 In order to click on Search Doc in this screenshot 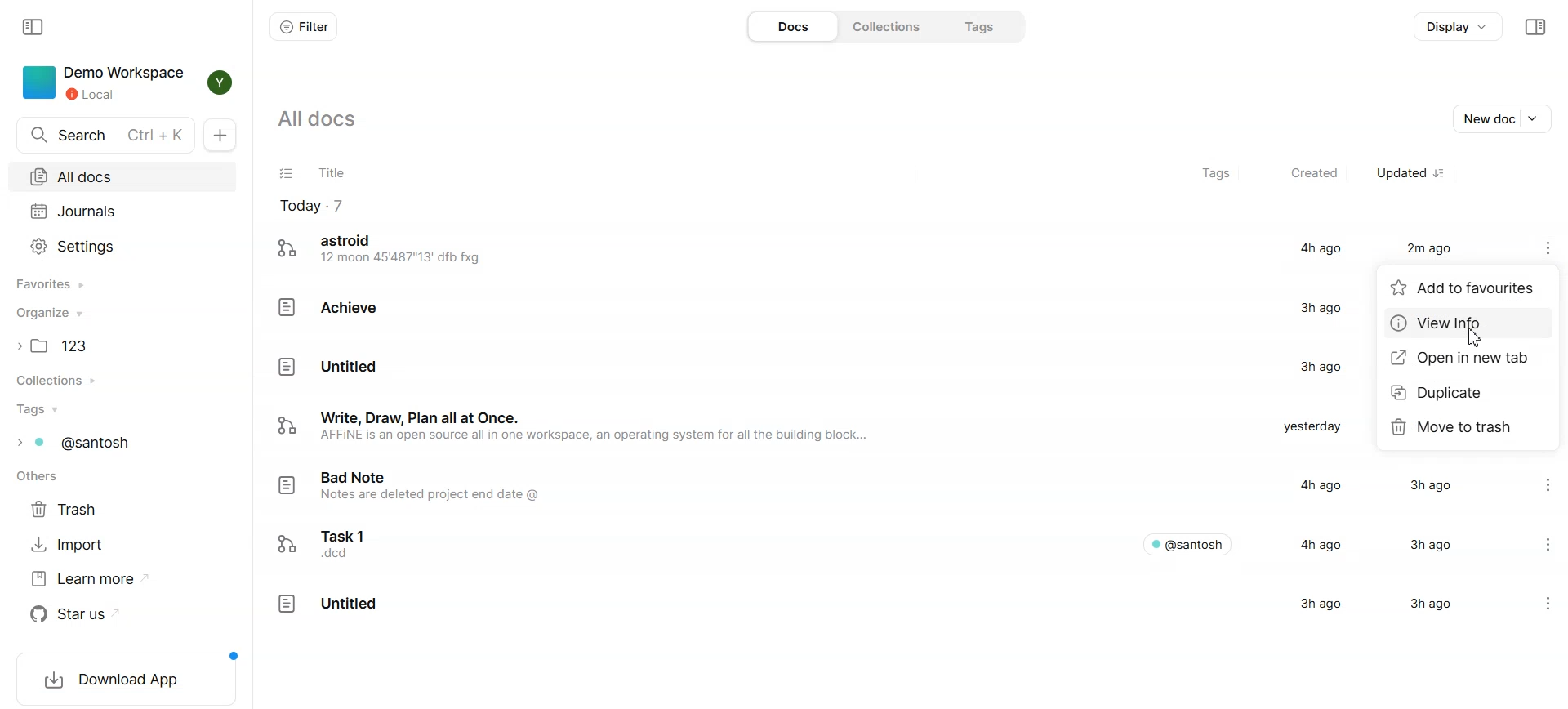, I will do `click(105, 135)`.